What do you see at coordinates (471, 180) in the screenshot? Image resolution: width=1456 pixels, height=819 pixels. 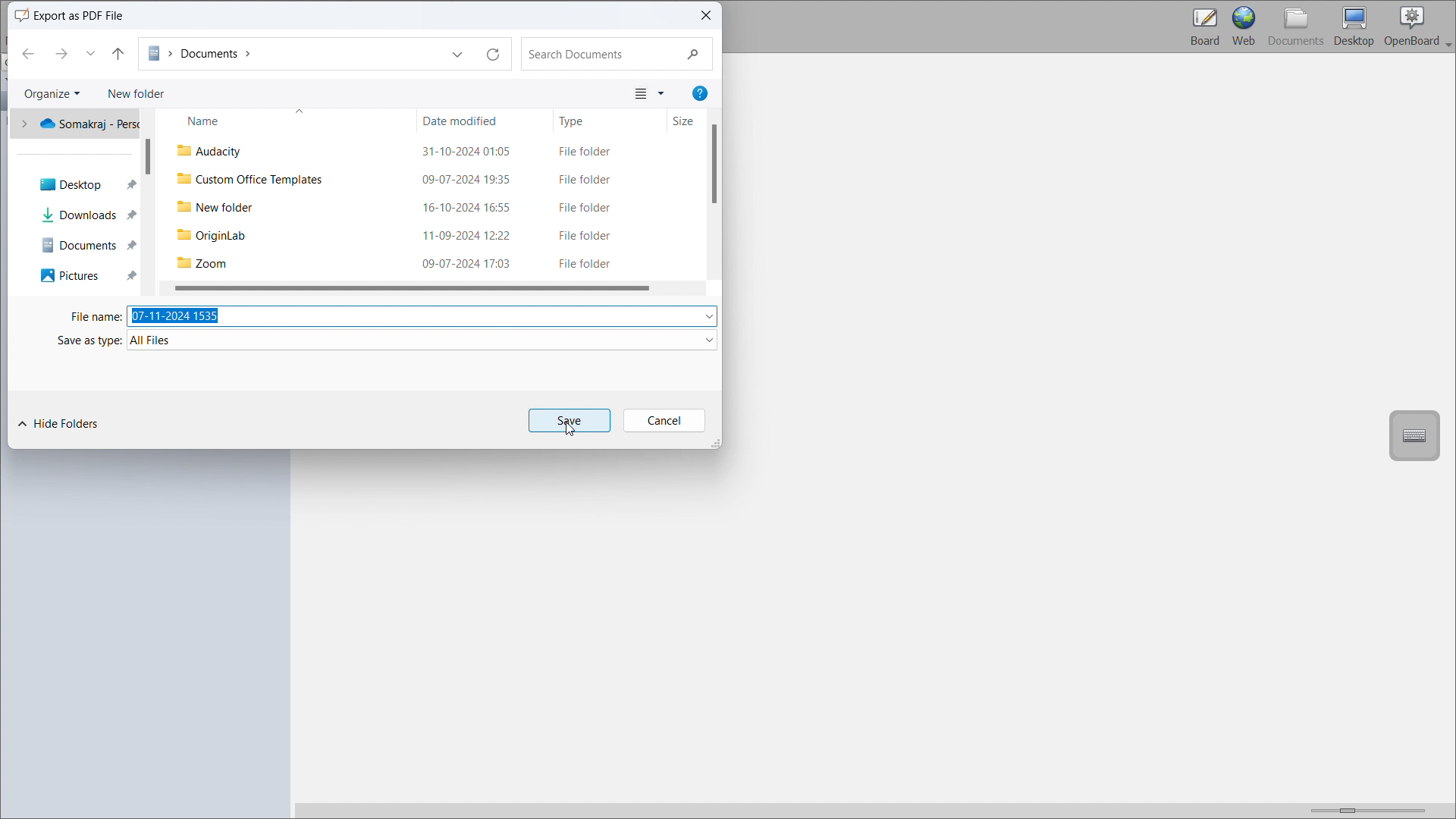 I see `09-07-2024 19:35` at bounding box center [471, 180].